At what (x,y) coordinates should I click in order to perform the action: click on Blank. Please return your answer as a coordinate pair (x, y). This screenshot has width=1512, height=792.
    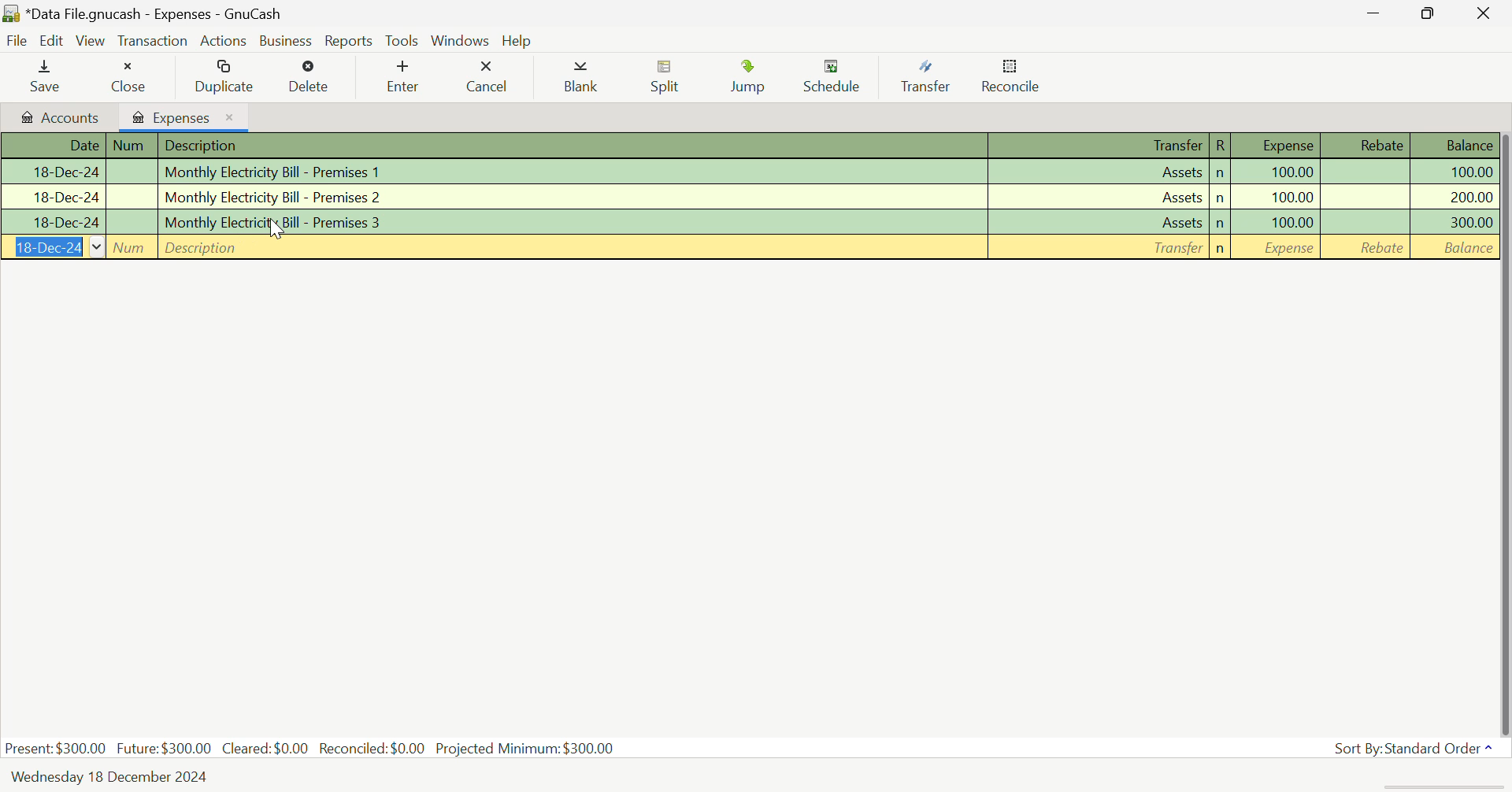
    Looking at the image, I should click on (580, 77).